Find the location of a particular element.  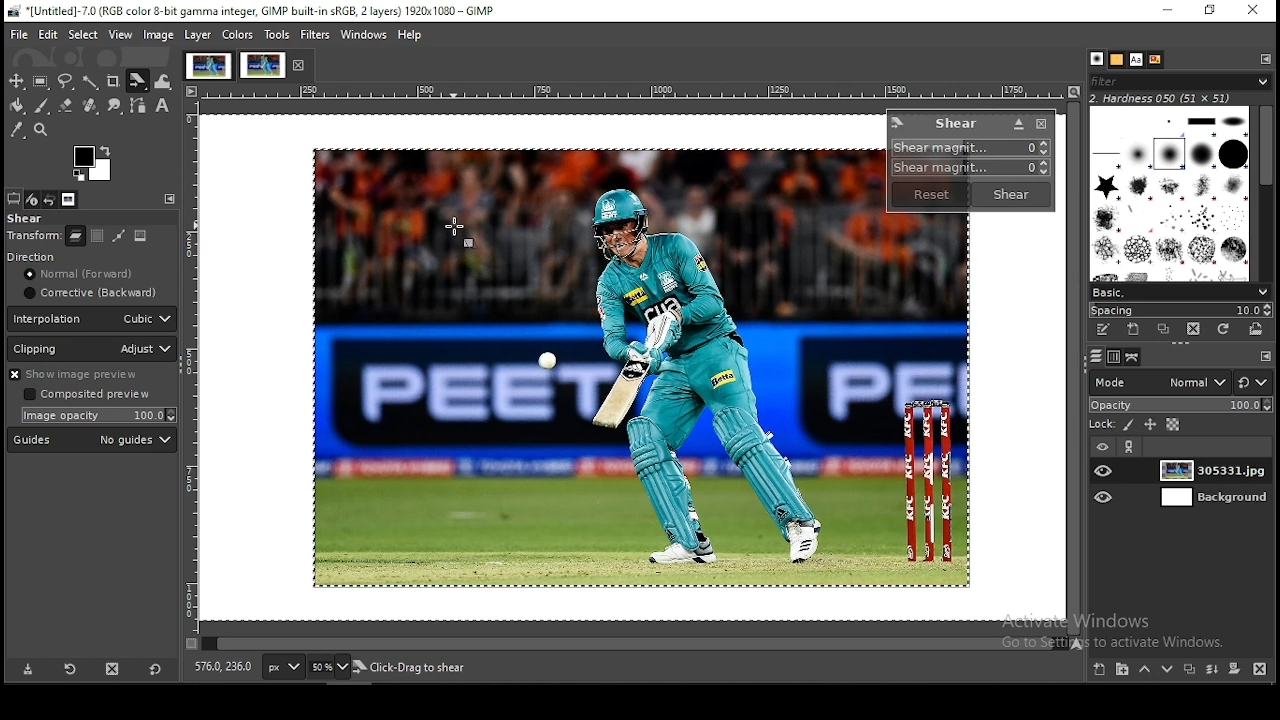

paint brush tool is located at coordinates (45, 107).